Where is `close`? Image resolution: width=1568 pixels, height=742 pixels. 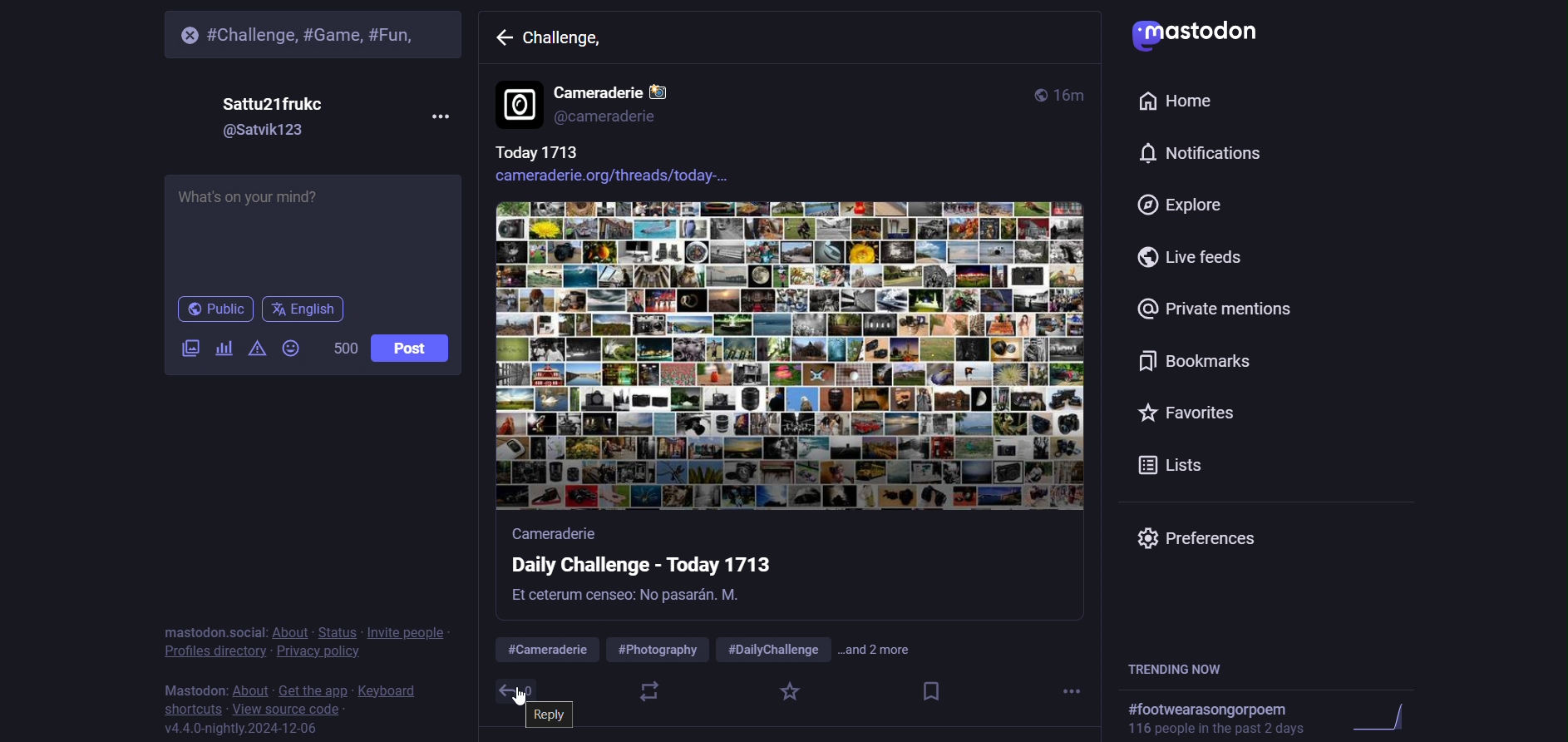 close is located at coordinates (180, 33).